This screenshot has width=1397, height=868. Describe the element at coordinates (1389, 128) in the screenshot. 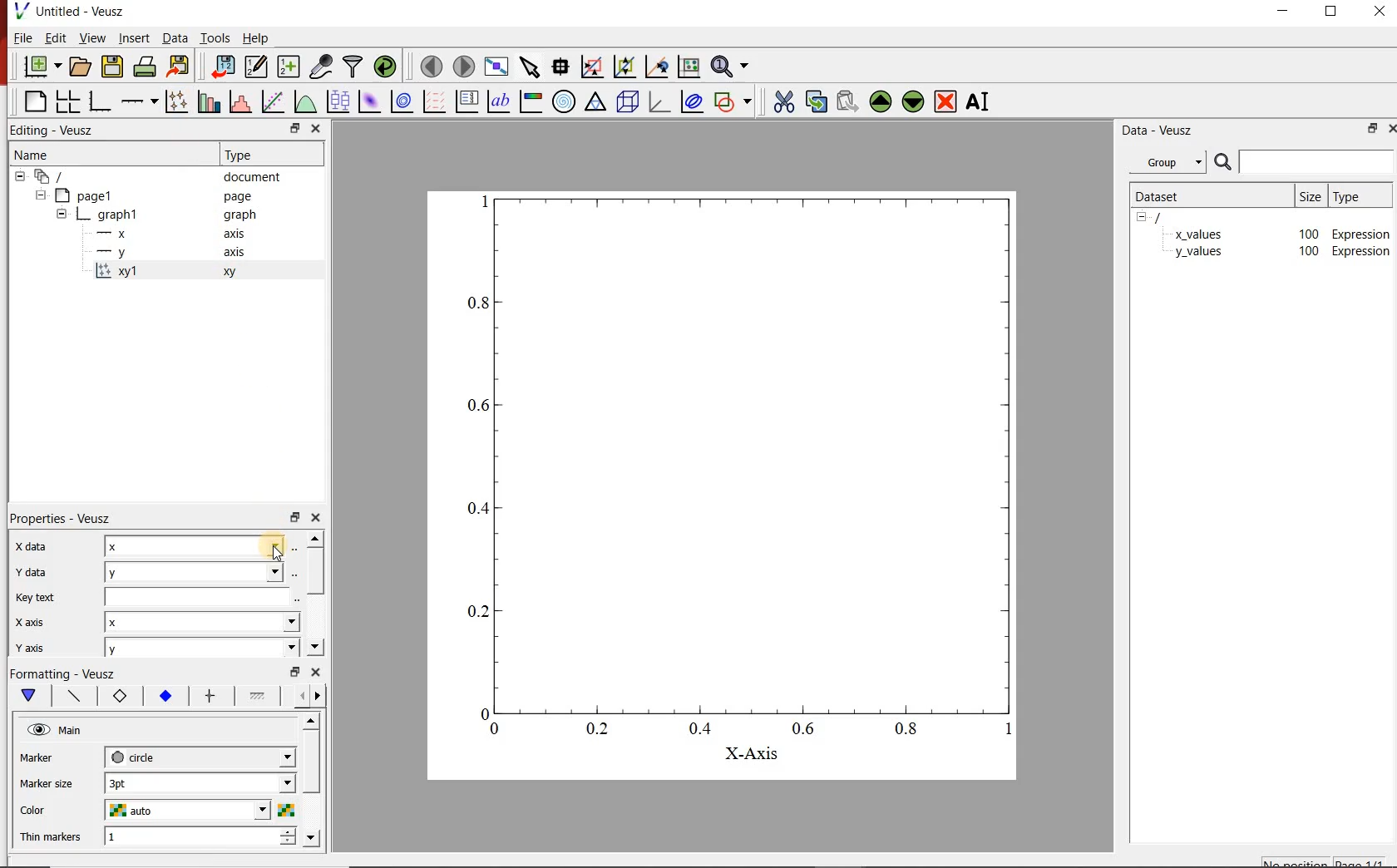

I see `close` at that location.